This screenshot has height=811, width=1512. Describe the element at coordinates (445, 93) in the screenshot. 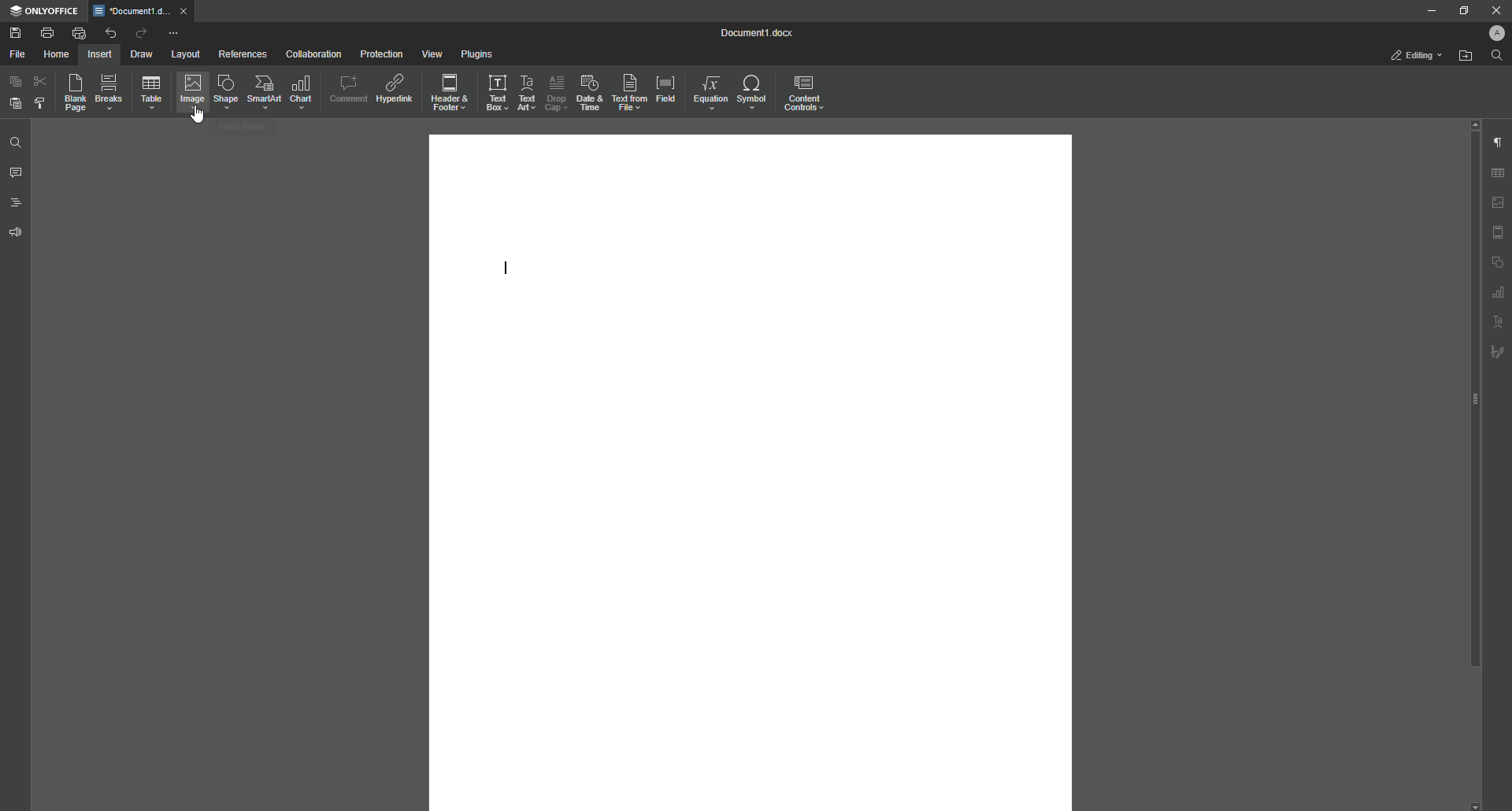

I see `Header and Footer` at that location.